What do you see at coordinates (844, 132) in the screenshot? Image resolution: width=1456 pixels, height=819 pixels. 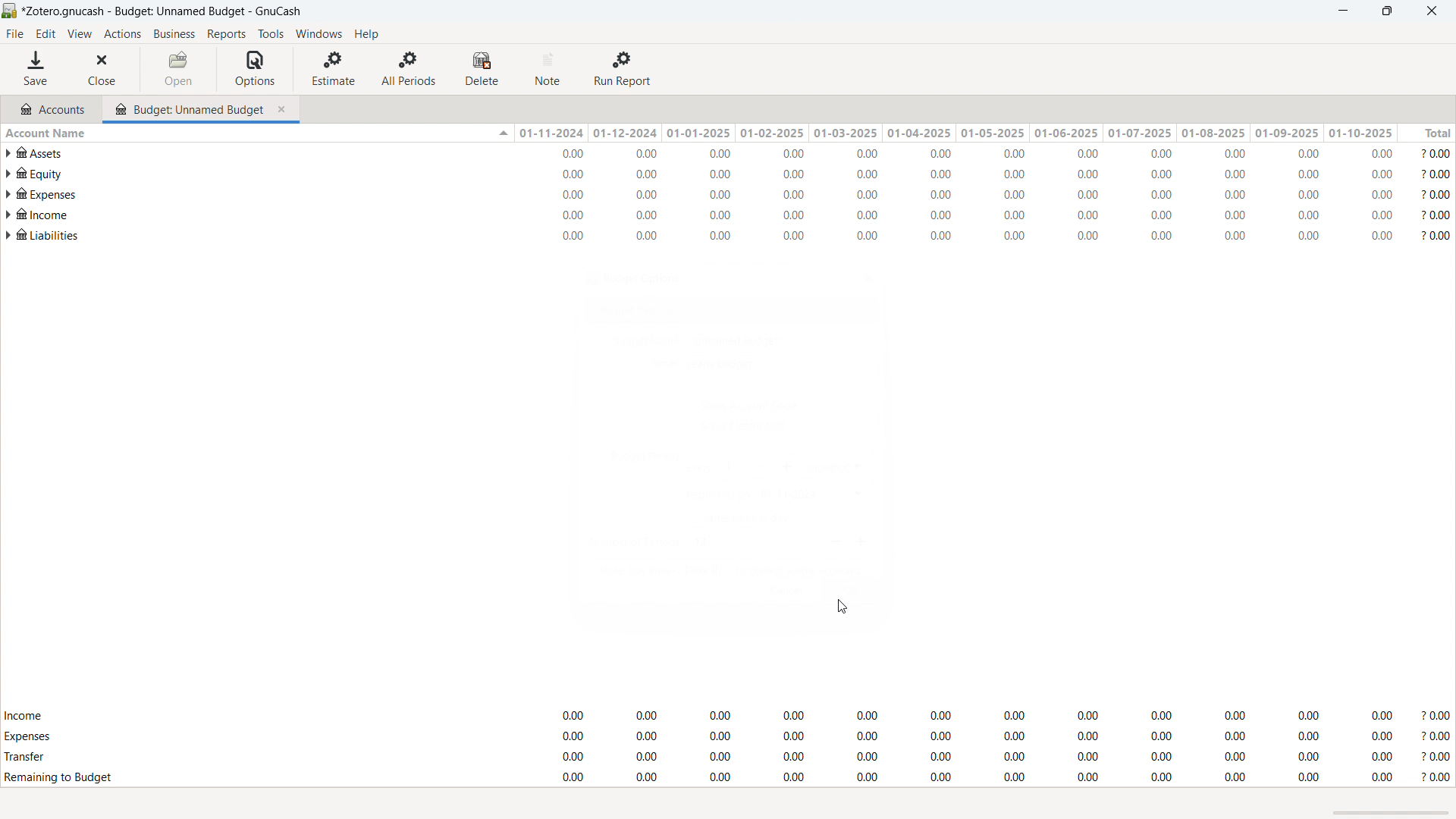 I see `01-03-2025` at bounding box center [844, 132].